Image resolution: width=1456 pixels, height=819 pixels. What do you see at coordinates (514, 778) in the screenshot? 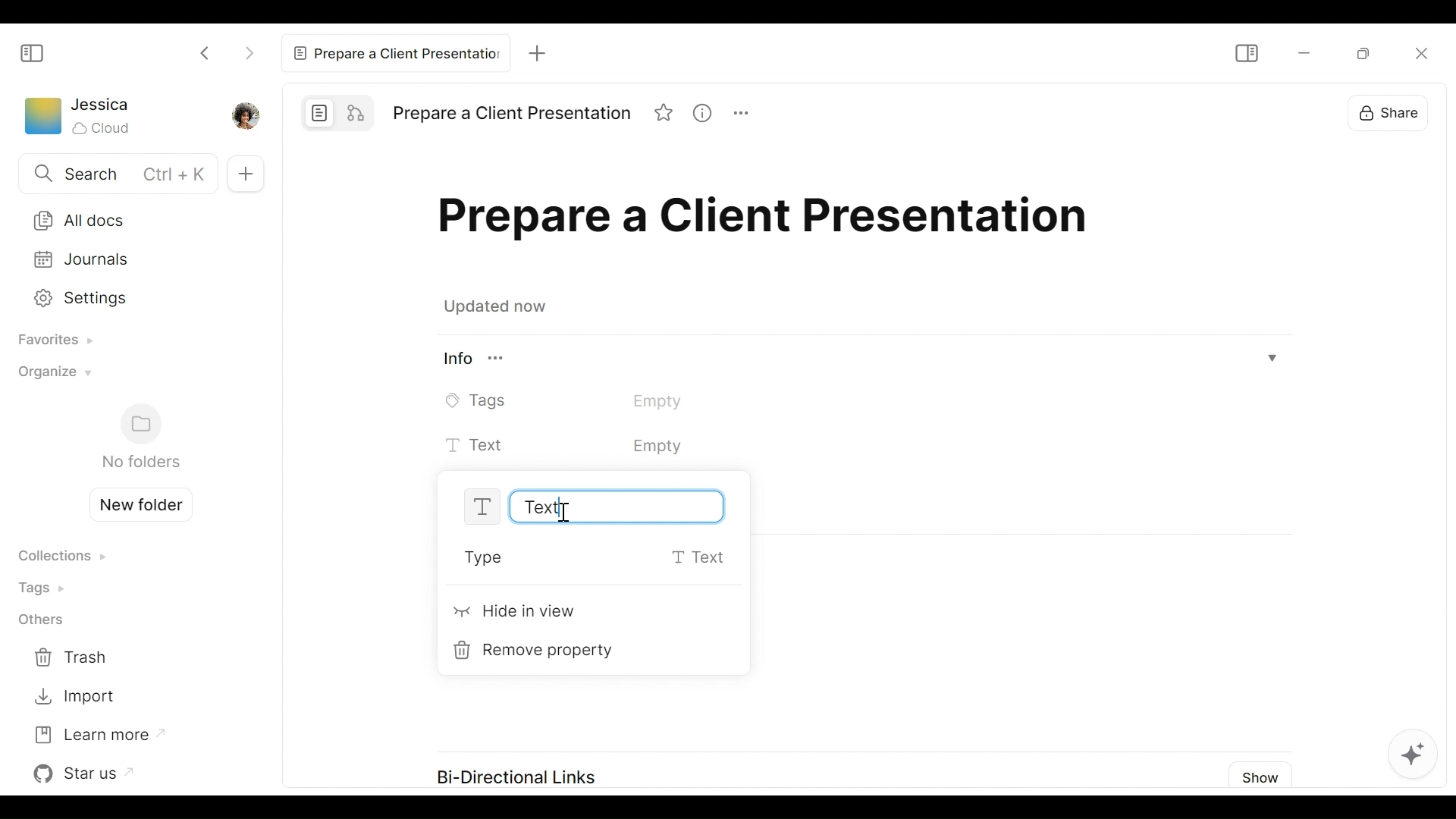
I see `Bi-Directional Links` at bounding box center [514, 778].